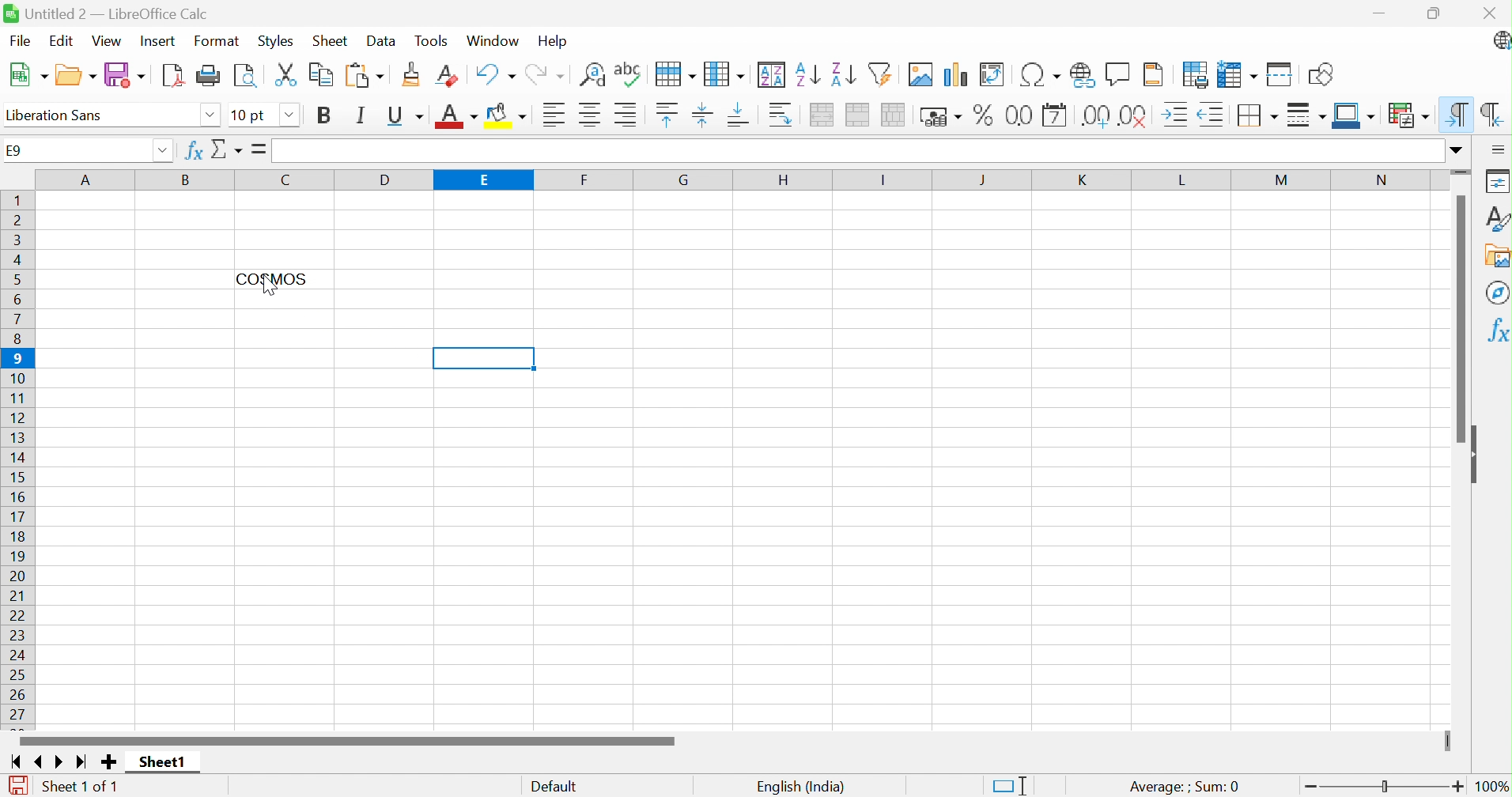 The height and width of the screenshot is (797, 1512). What do you see at coordinates (18, 786) in the screenshot?
I see `The document has been modified. Click to save the document.` at bounding box center [18, 786].